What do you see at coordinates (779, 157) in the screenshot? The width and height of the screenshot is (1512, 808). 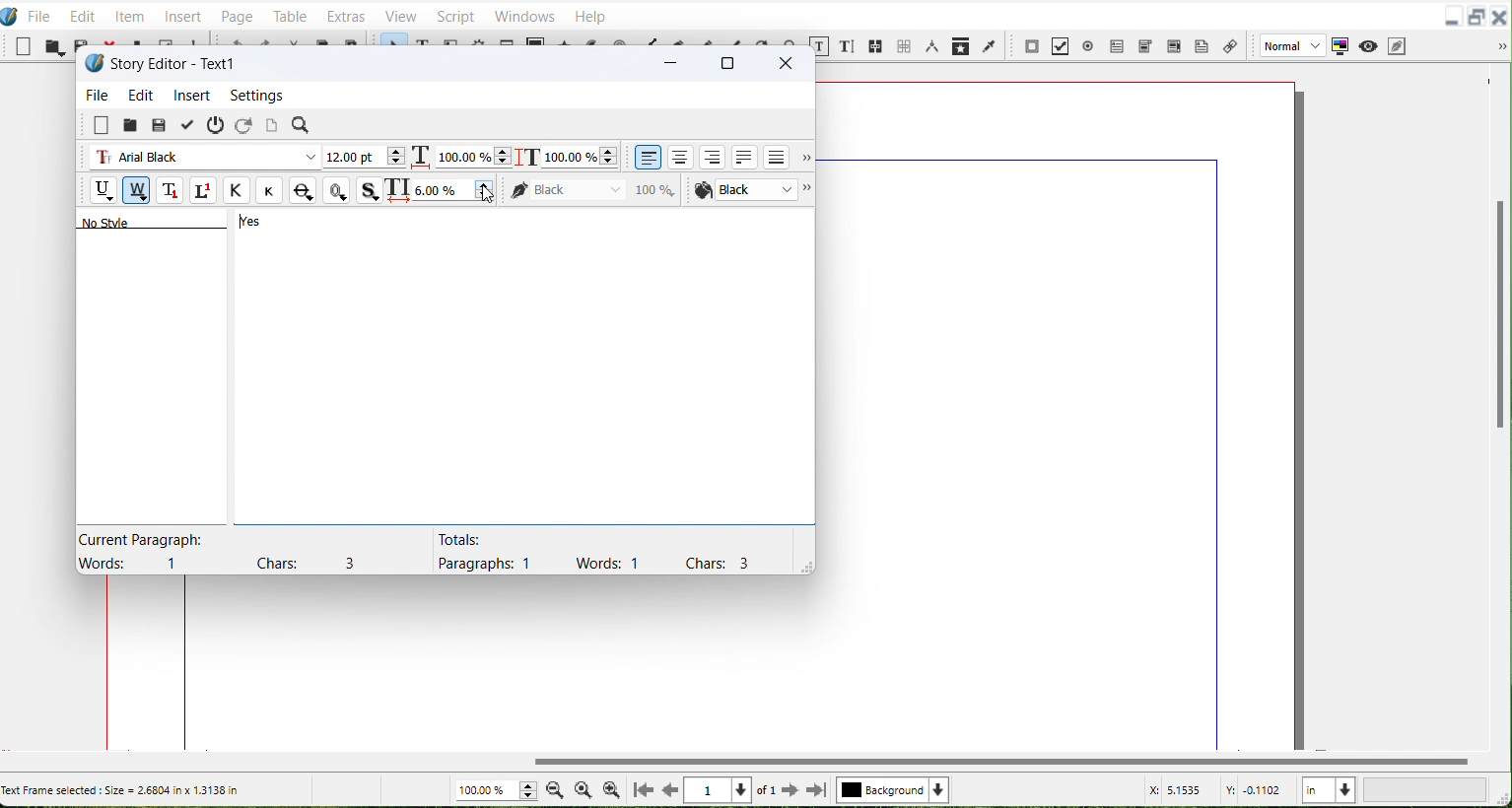 I see `Align text forced justified` at bounding box center [779, 157].